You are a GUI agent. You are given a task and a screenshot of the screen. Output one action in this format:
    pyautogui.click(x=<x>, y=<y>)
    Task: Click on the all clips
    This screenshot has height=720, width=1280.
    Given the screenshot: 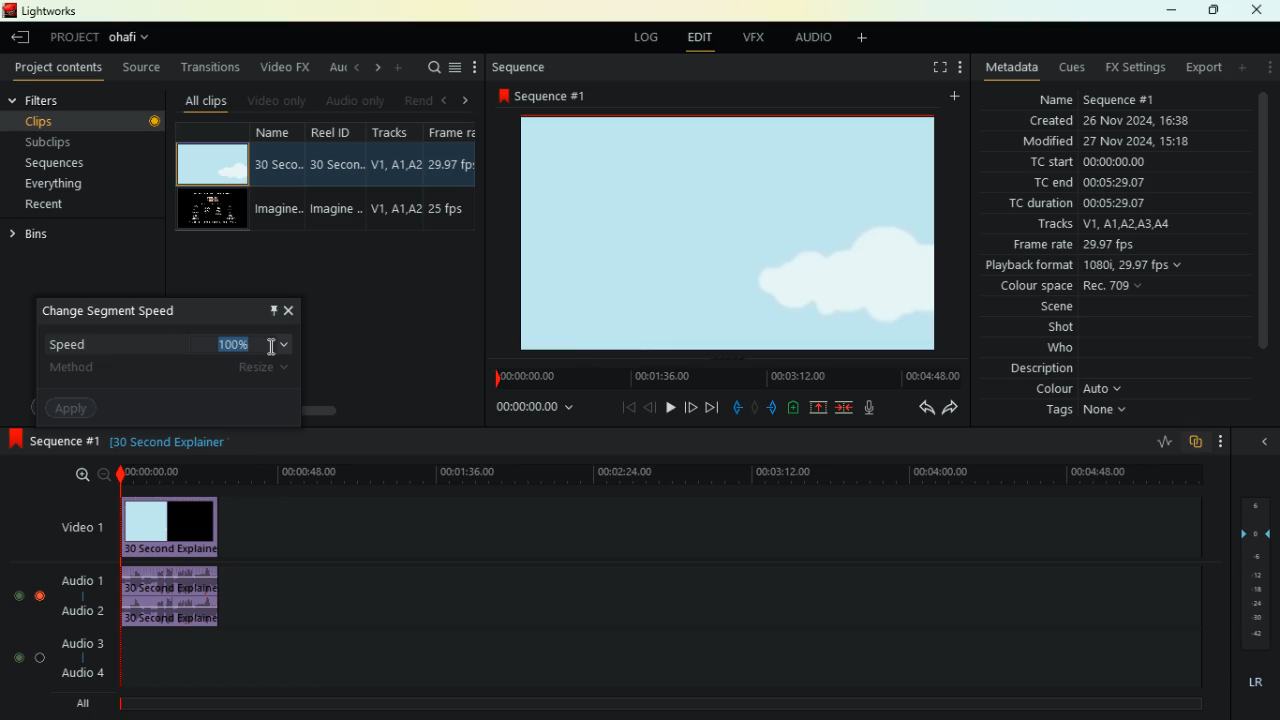 What is the action you would take?
    pyautogui.click(x=210, y=101)
    